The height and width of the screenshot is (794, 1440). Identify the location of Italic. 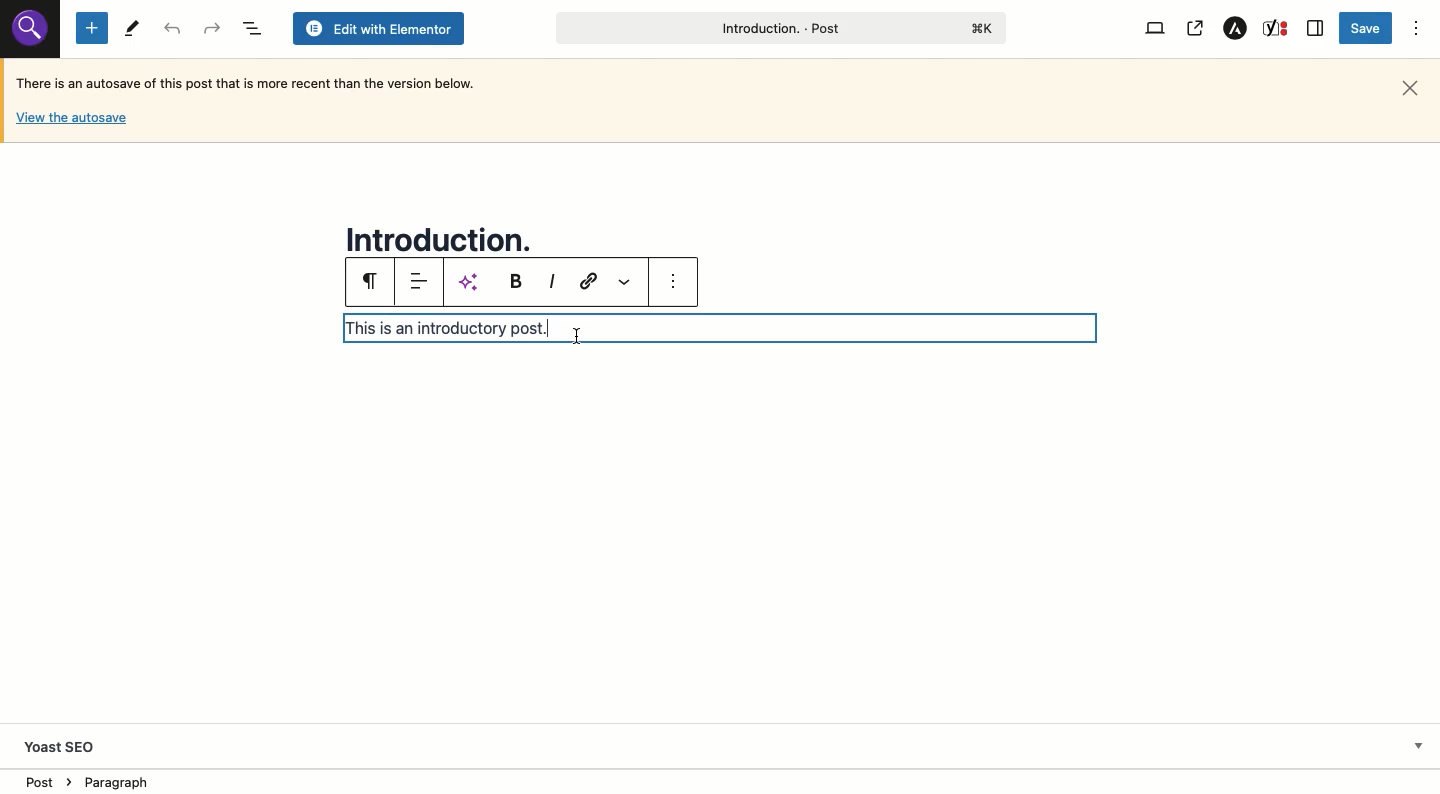
(550, 281).